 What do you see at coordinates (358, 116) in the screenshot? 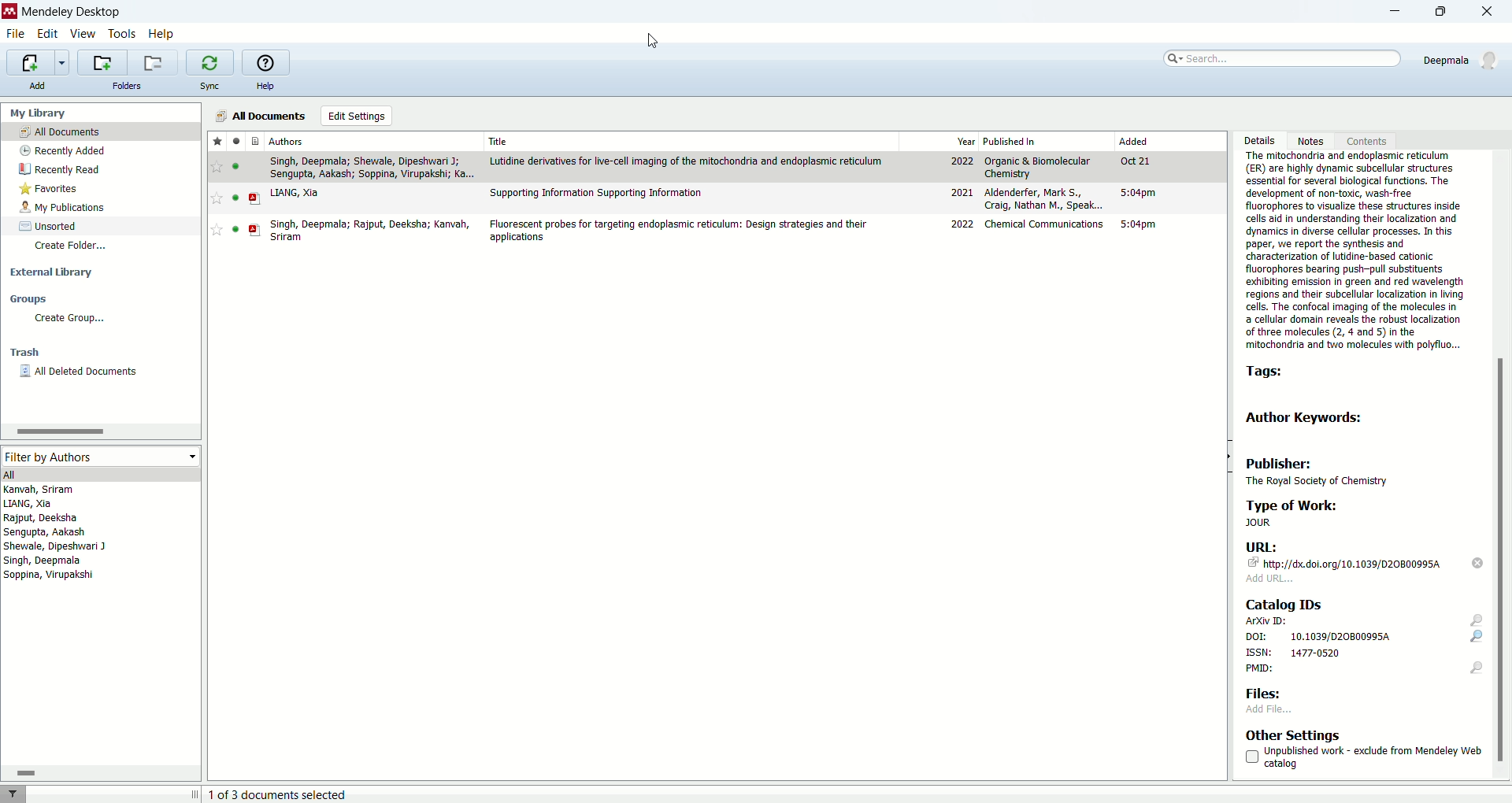
I see `edit settings` at bounding box center [358, 116].